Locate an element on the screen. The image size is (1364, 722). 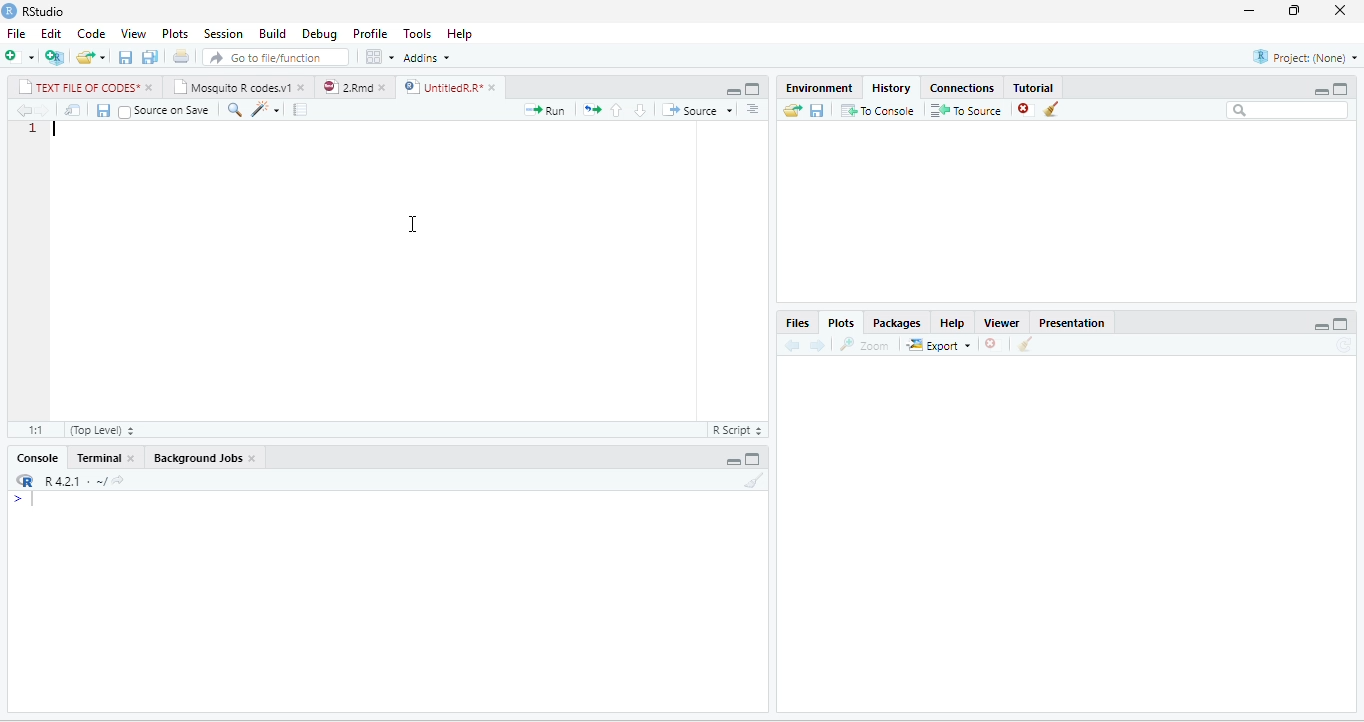
R Script is located at coordinates (736, 429).